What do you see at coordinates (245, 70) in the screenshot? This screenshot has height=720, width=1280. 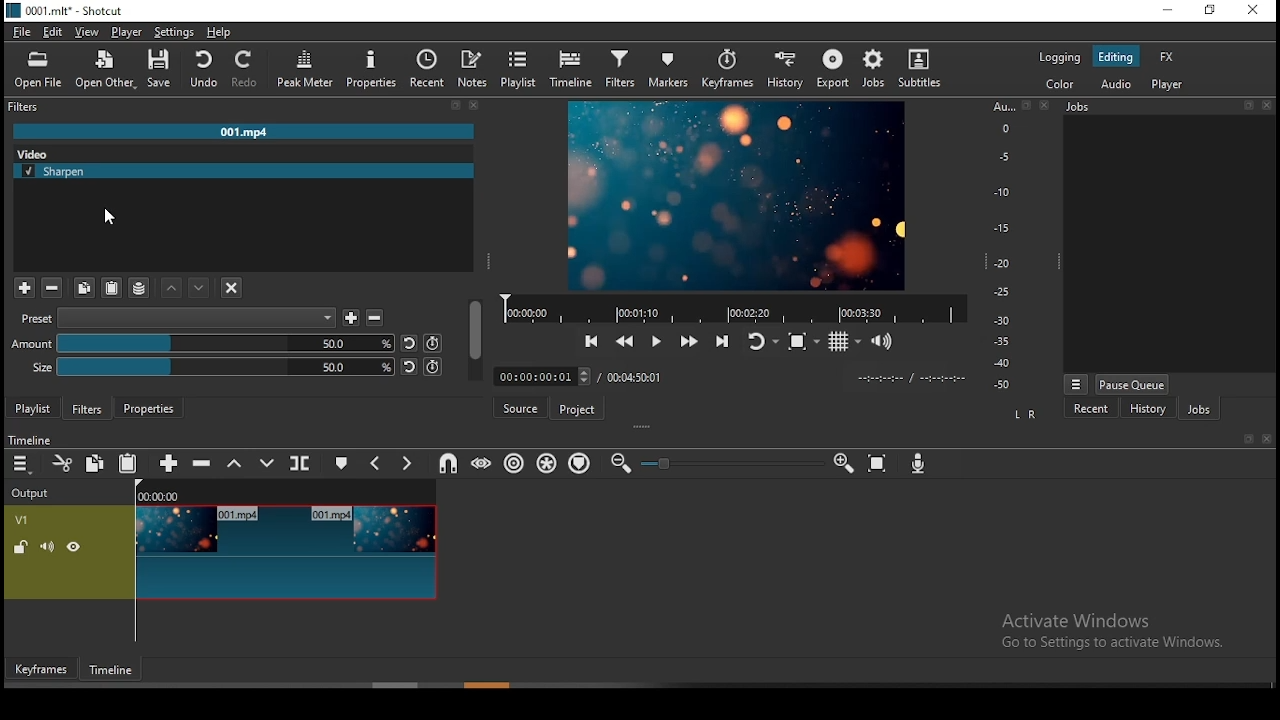 I see `redo` at bounding box center [245, 70].